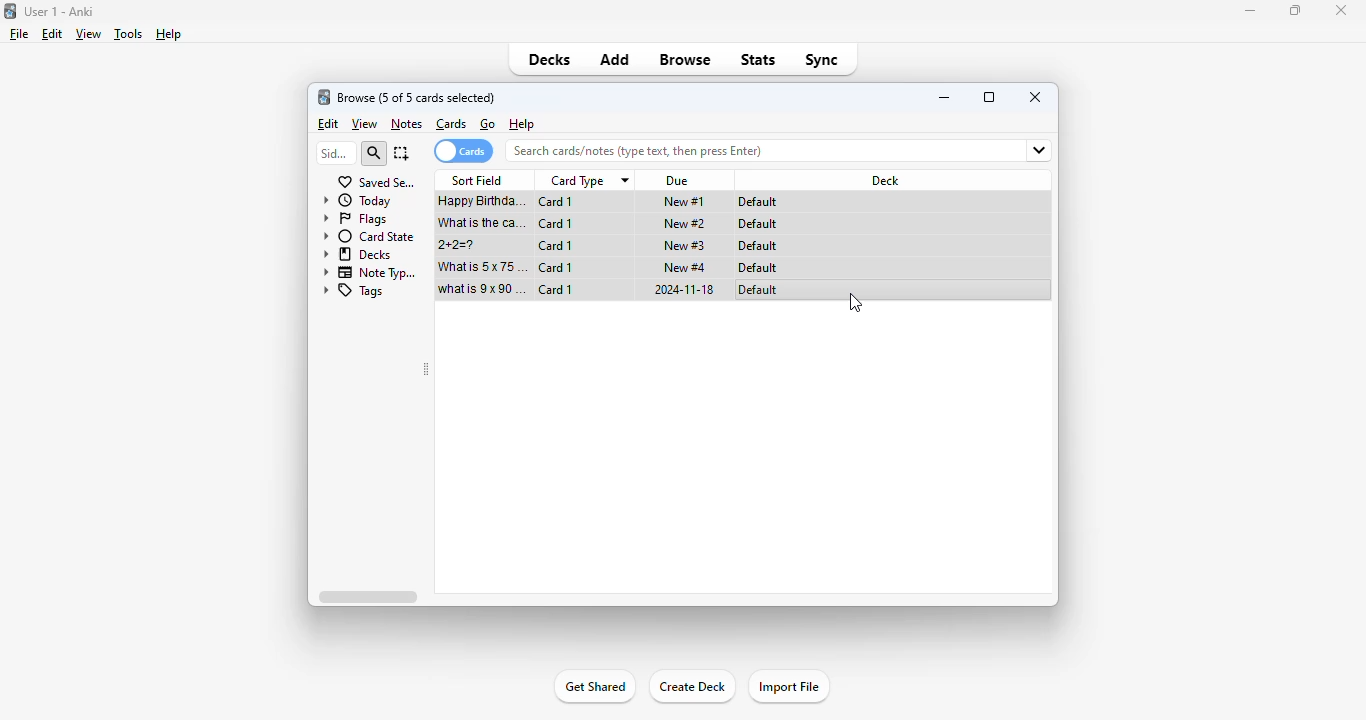  What do you see at coordinates (856, 302) in the screenshot?
I see `RIGHT CLICK` at bounding box center [856, 302].